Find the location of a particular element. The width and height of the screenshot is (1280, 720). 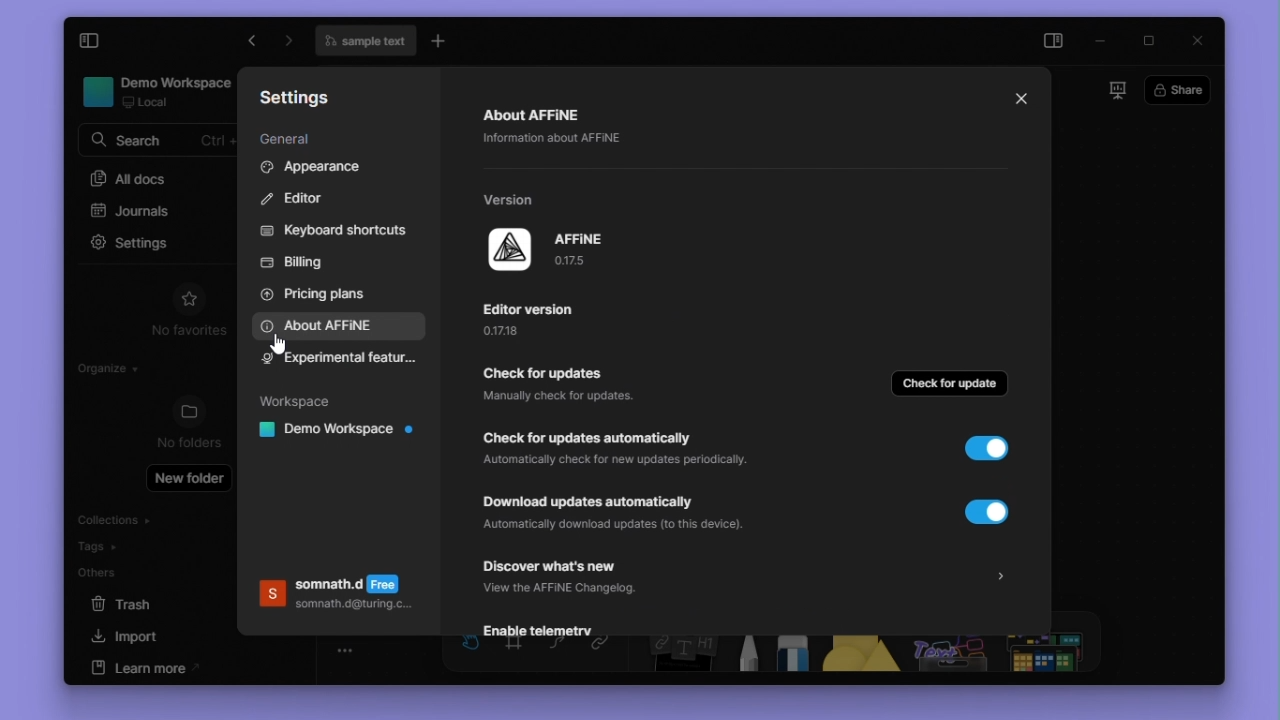

Settings is located at coordinates (301, 98).